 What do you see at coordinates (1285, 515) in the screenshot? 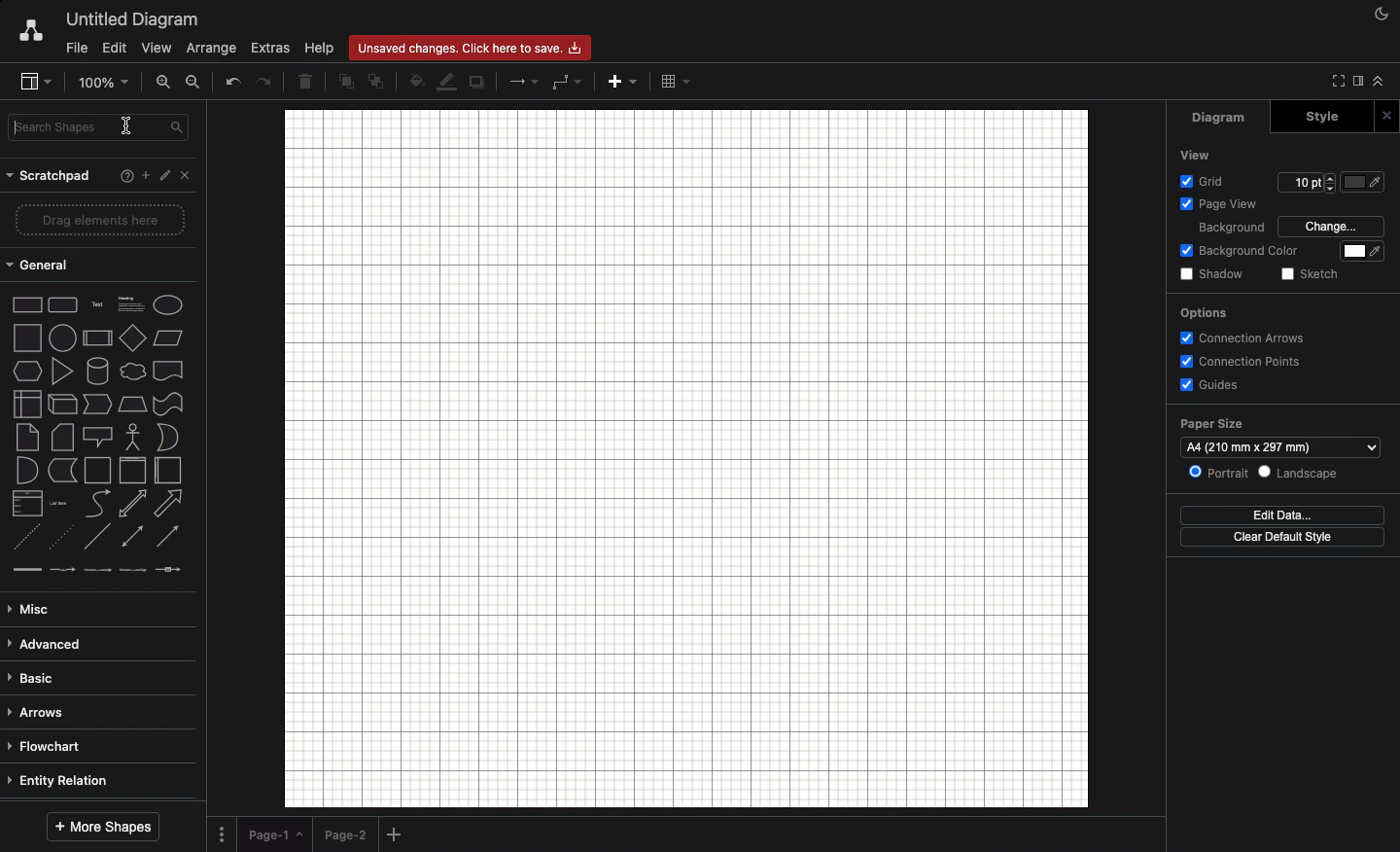
I see `Edit data` at bounding box center [1285, 515].